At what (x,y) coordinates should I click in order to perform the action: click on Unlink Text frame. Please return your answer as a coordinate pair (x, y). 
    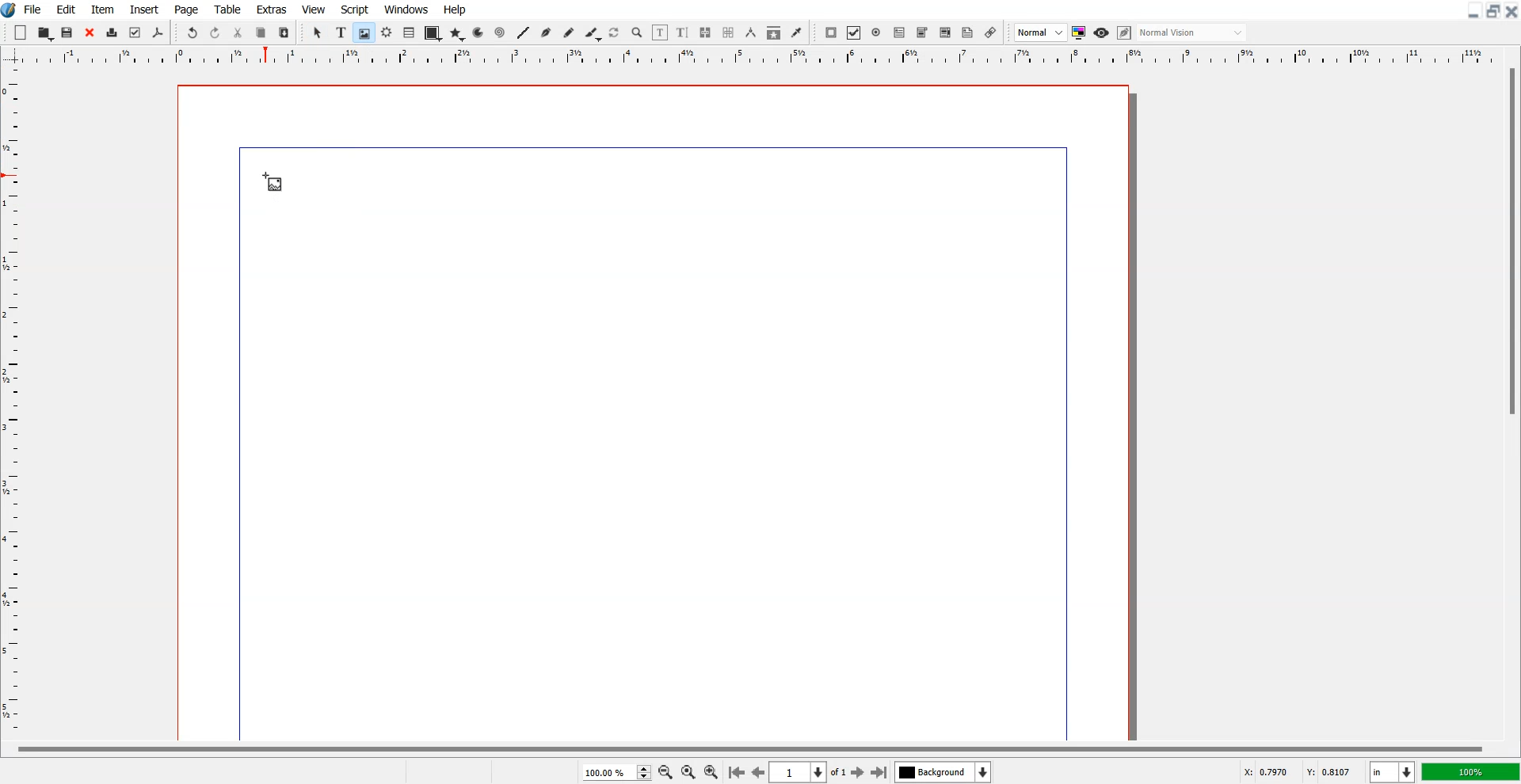
    Looking at the image, I should click on (729, 32).